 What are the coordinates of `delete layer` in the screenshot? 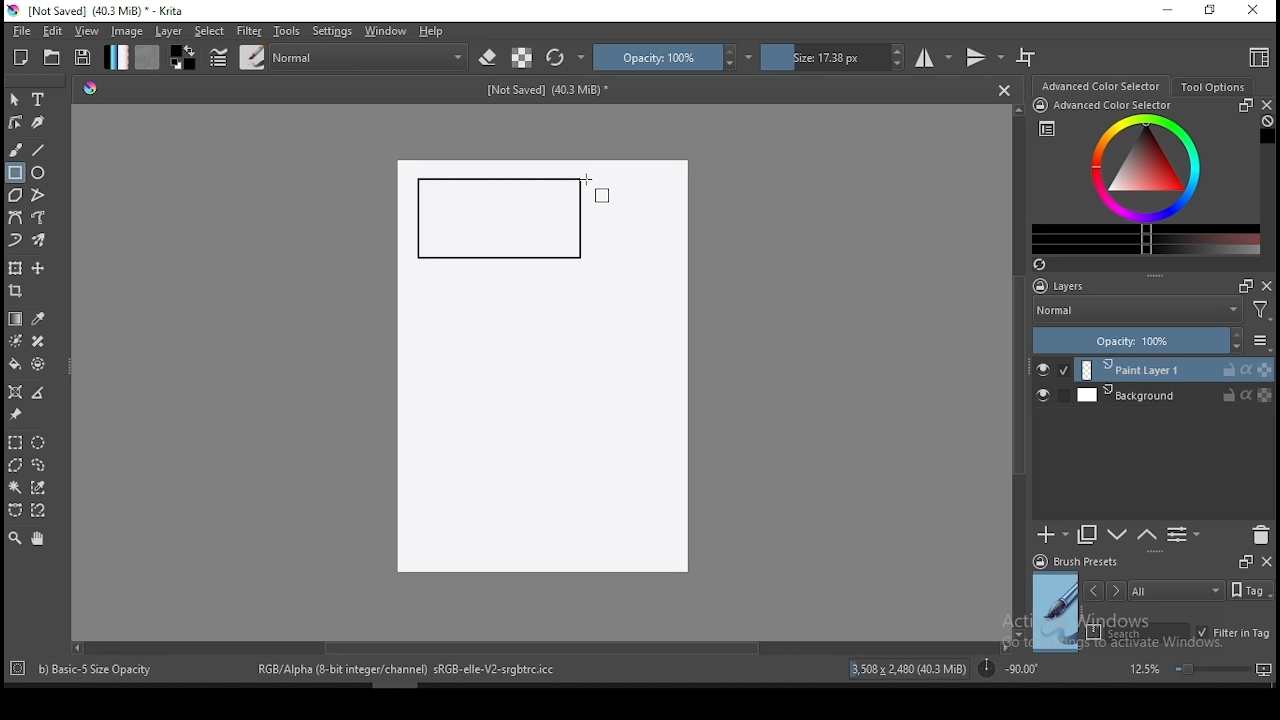 It's located at (1260, 536).